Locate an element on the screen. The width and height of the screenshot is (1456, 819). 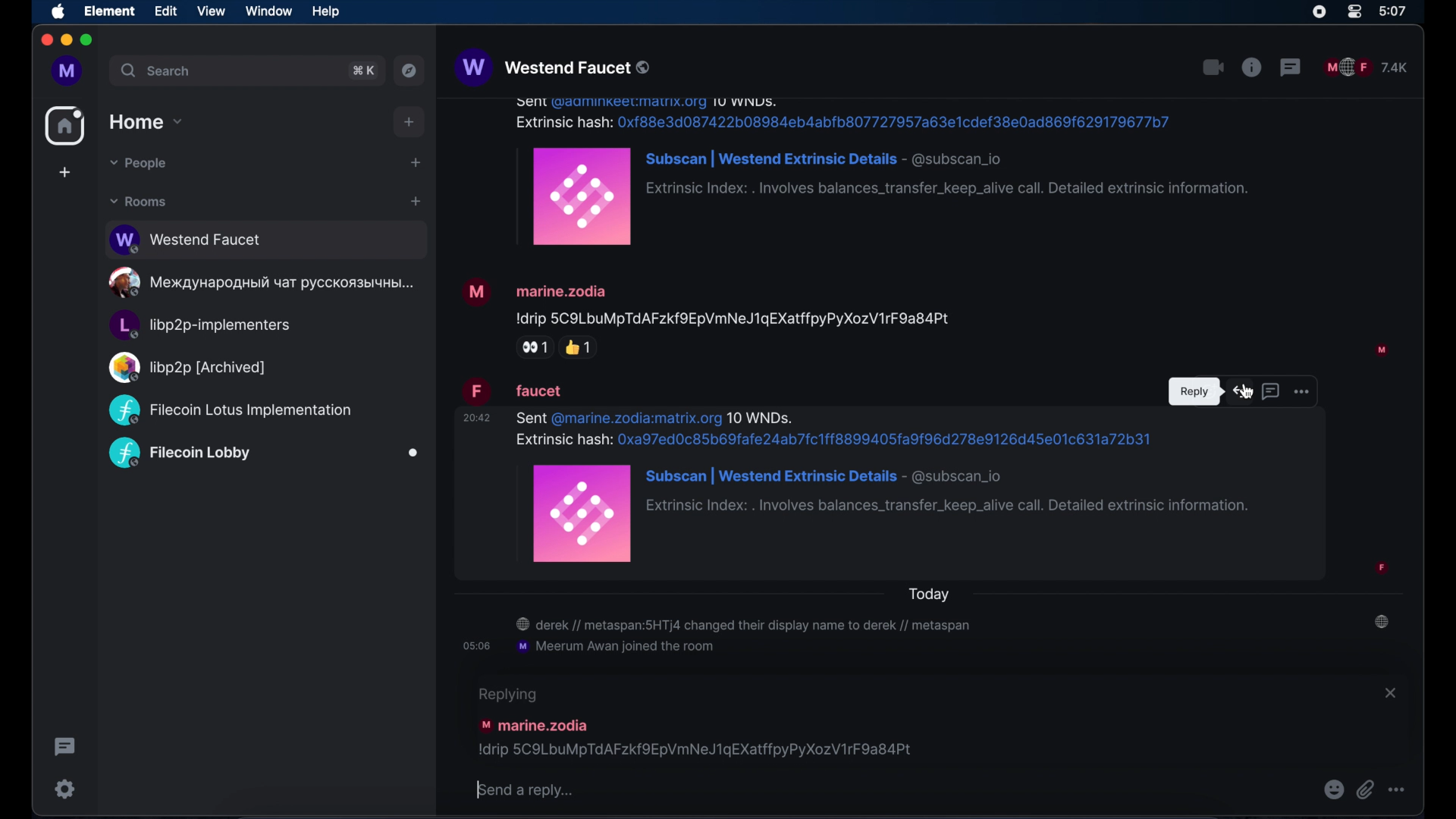
screen recorder icon is located at coordinates (1319, 12).